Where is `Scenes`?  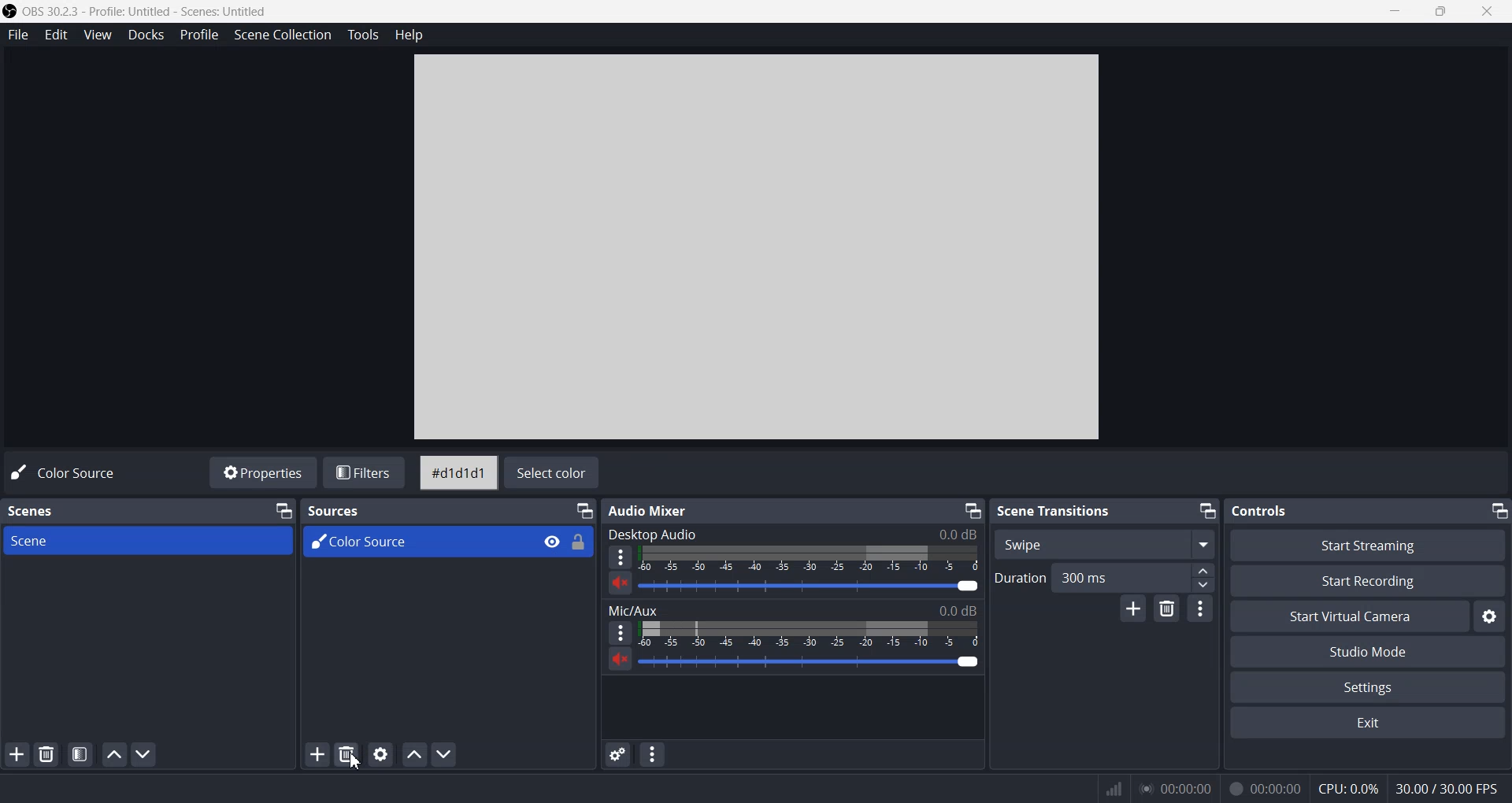 Scenes is located at coordinates (32, 511).